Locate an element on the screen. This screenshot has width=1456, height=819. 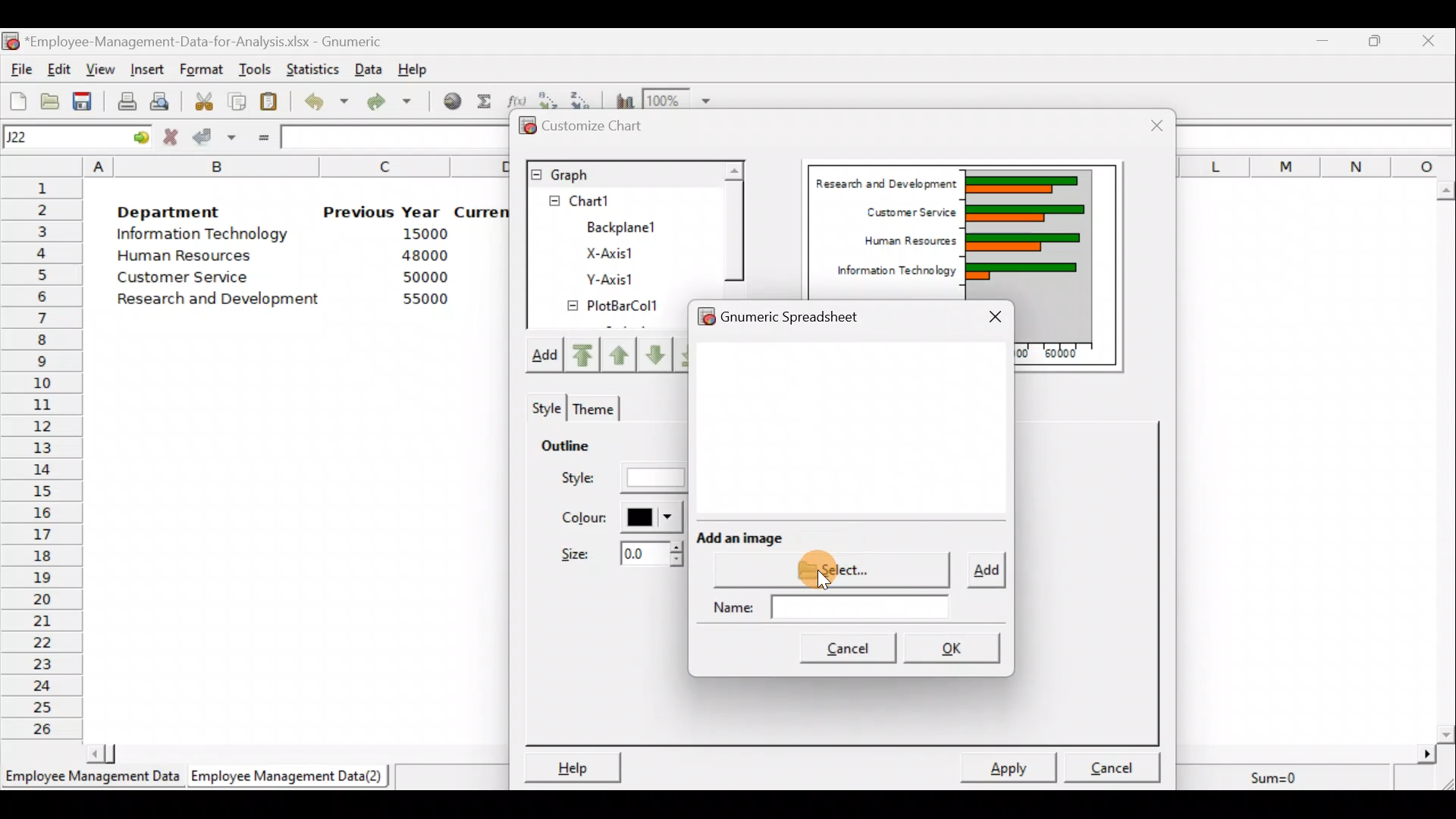
Insert a chart is located at coordinates (622, 99).